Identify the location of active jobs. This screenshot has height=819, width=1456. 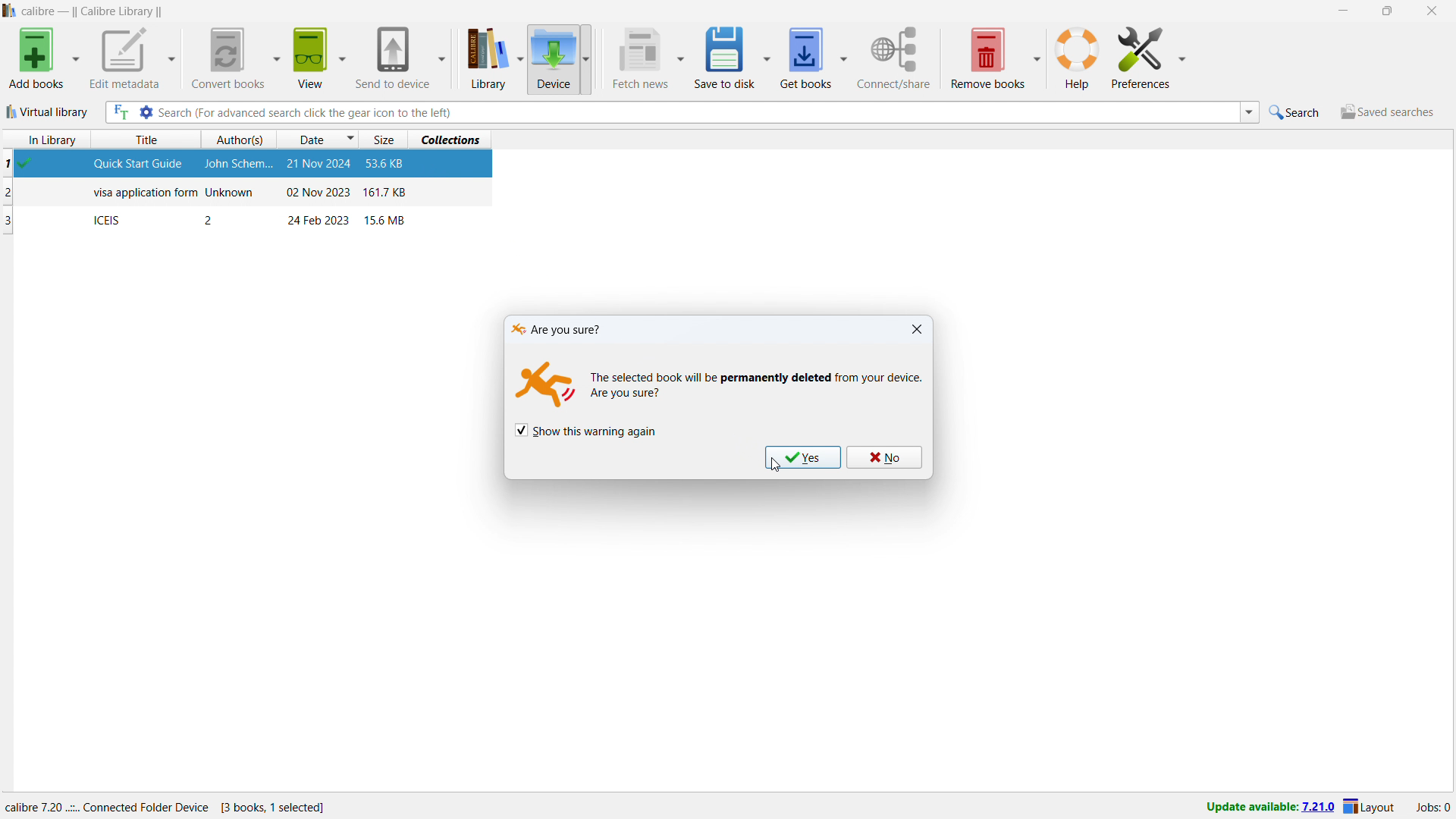
(1432, 809).